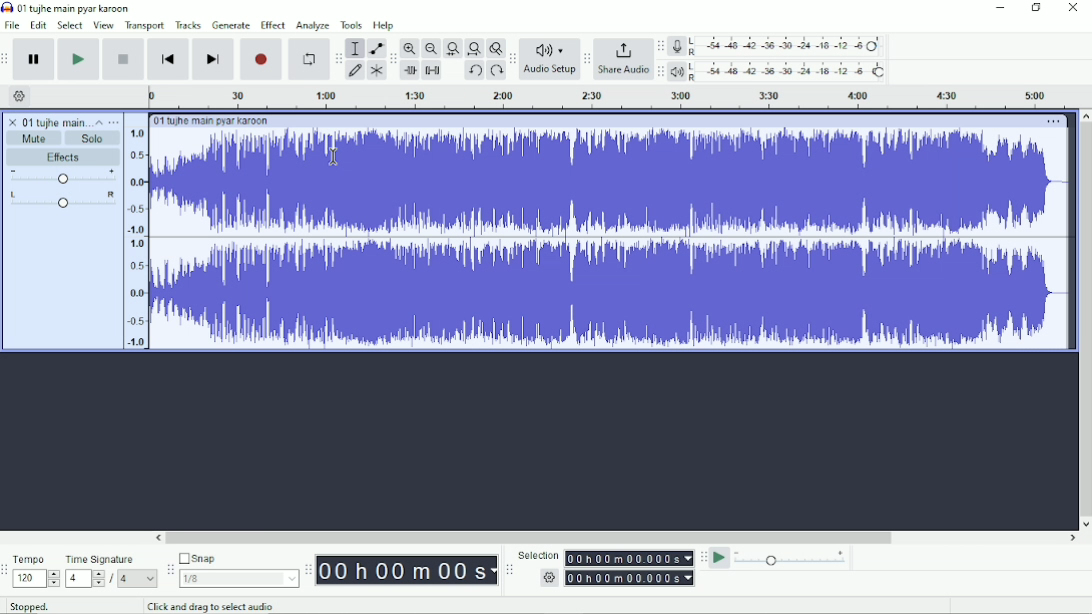 The width and height of the screenshot is (1092, 614). I want to click on Audacity edit toolbar, so click(393, 58).